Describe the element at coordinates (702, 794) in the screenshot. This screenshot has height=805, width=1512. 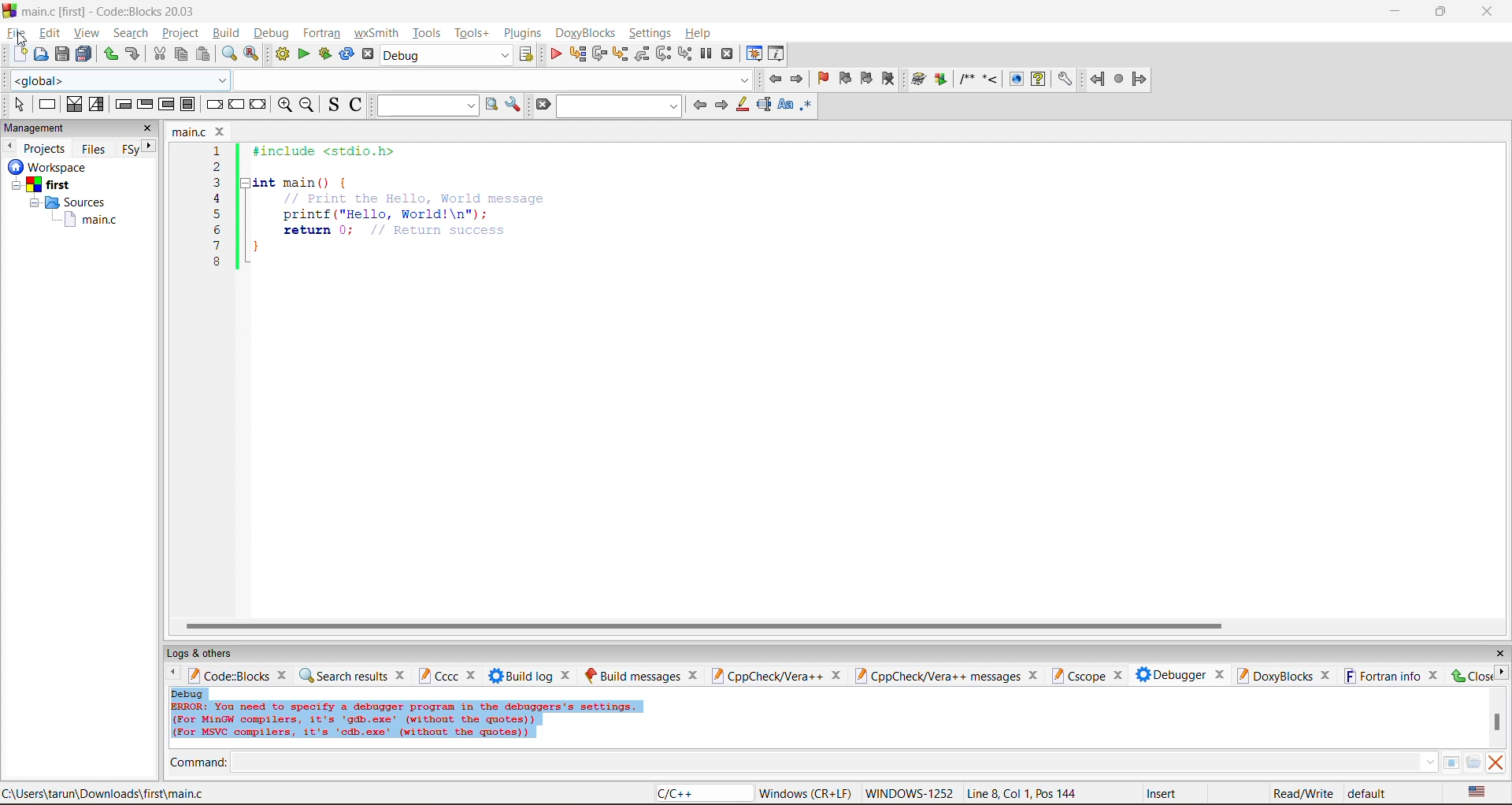
I see `language` at that location.